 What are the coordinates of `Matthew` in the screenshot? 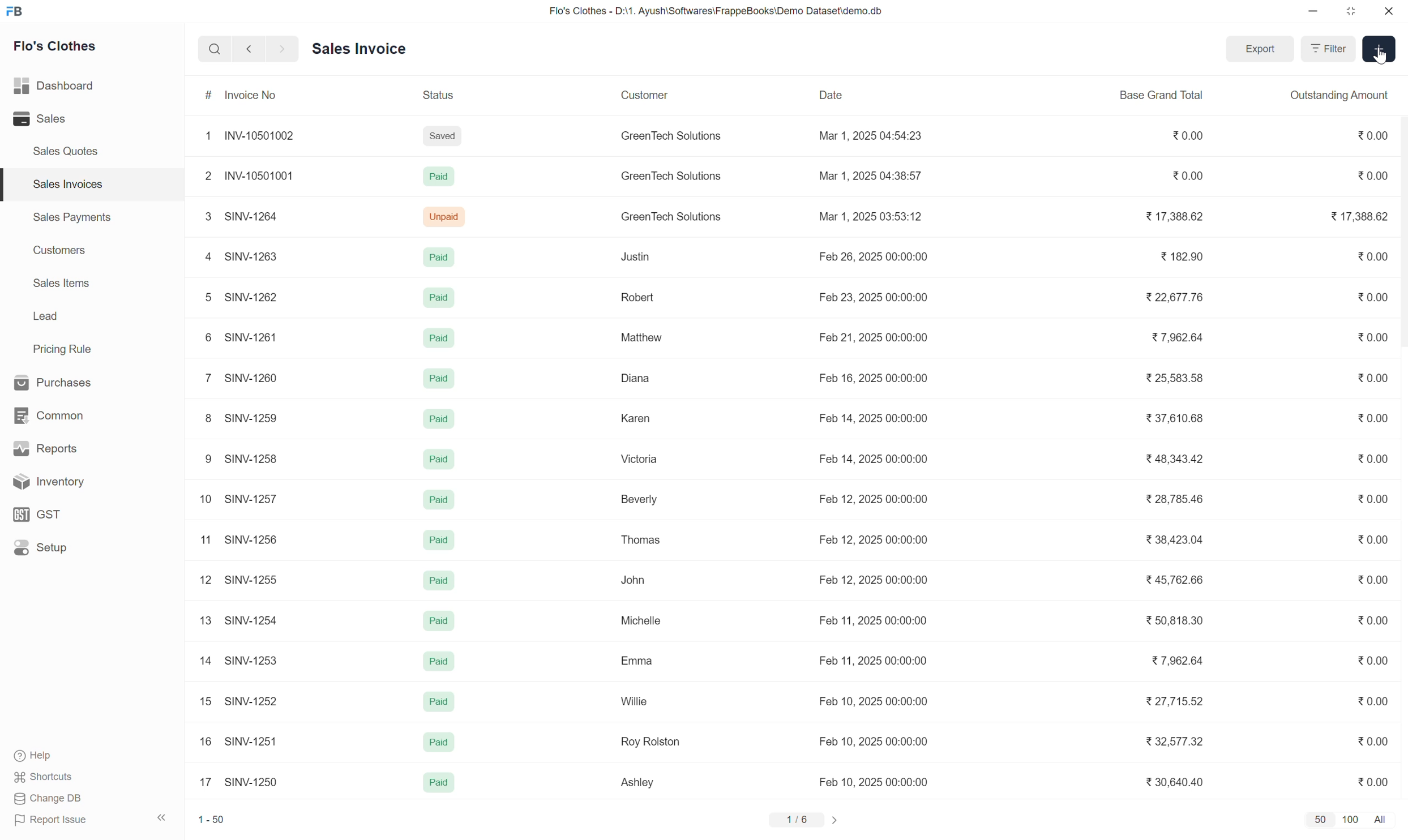 It's located at (645, 337).